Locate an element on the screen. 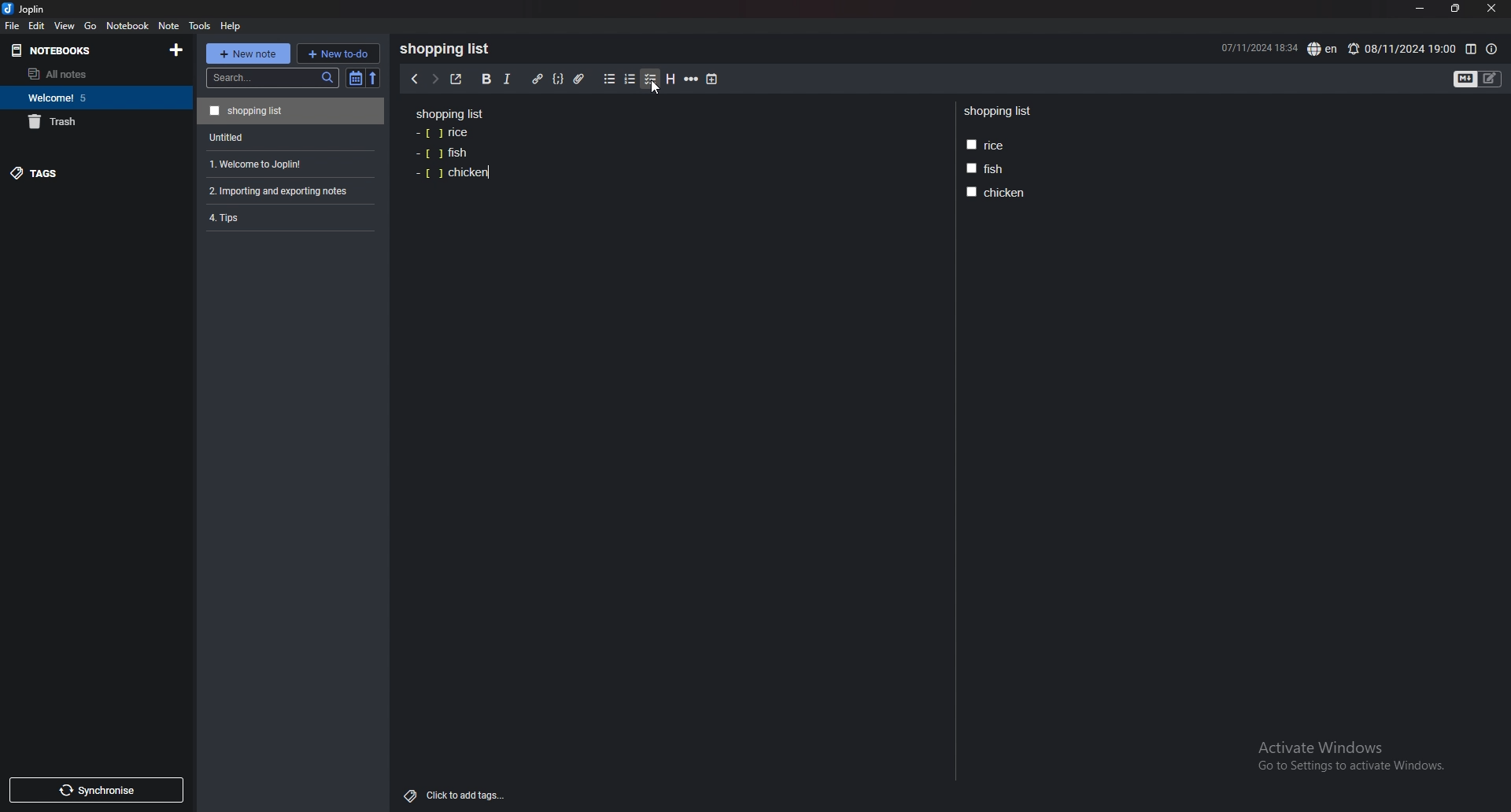 The image size is (1511, 812). attachment is located at coordinates (582, 79).